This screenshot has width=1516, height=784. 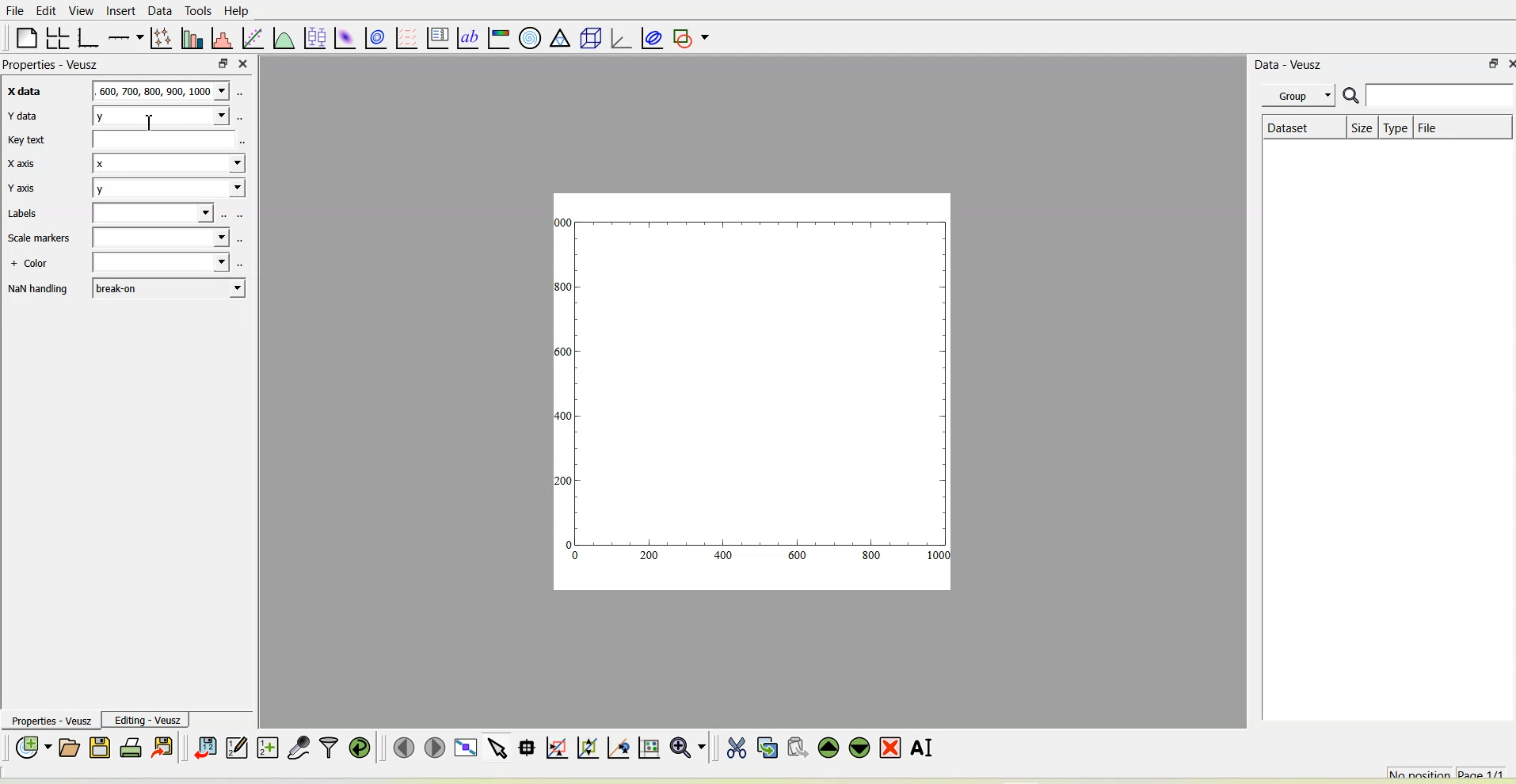 I want to click on Save the document, so click(x=101, y=748).